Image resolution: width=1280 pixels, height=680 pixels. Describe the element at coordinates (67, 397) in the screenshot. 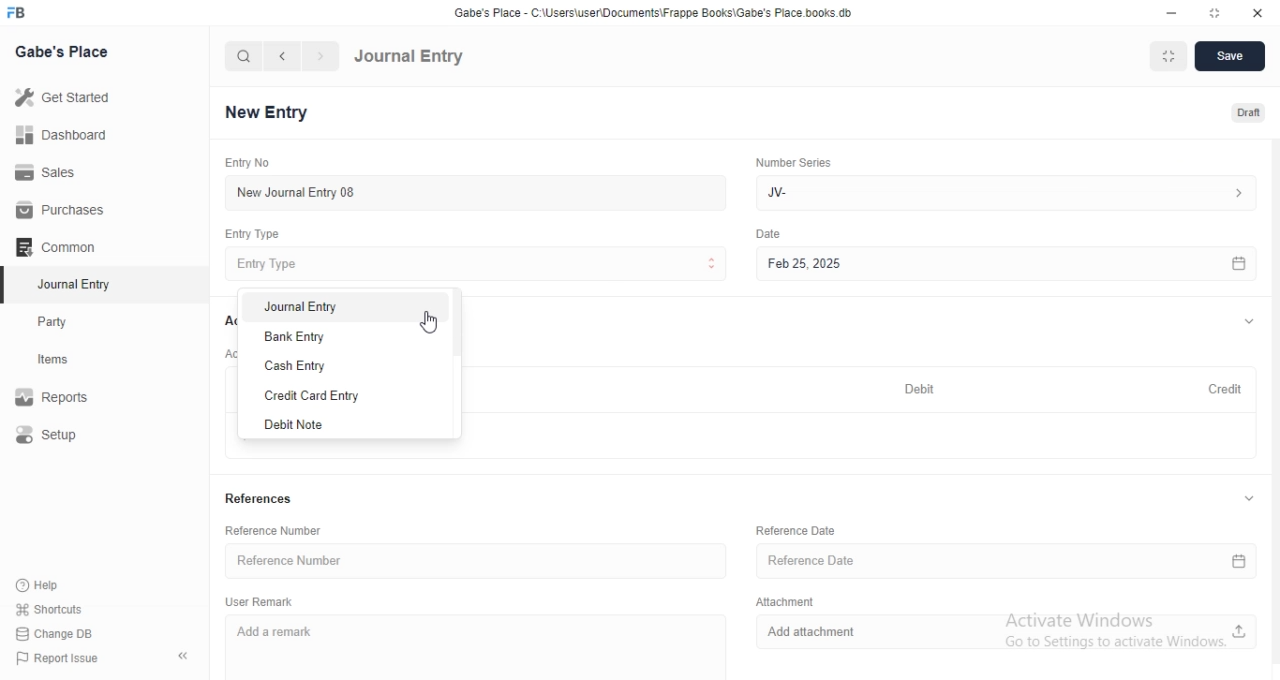

I see `Report` at that location.